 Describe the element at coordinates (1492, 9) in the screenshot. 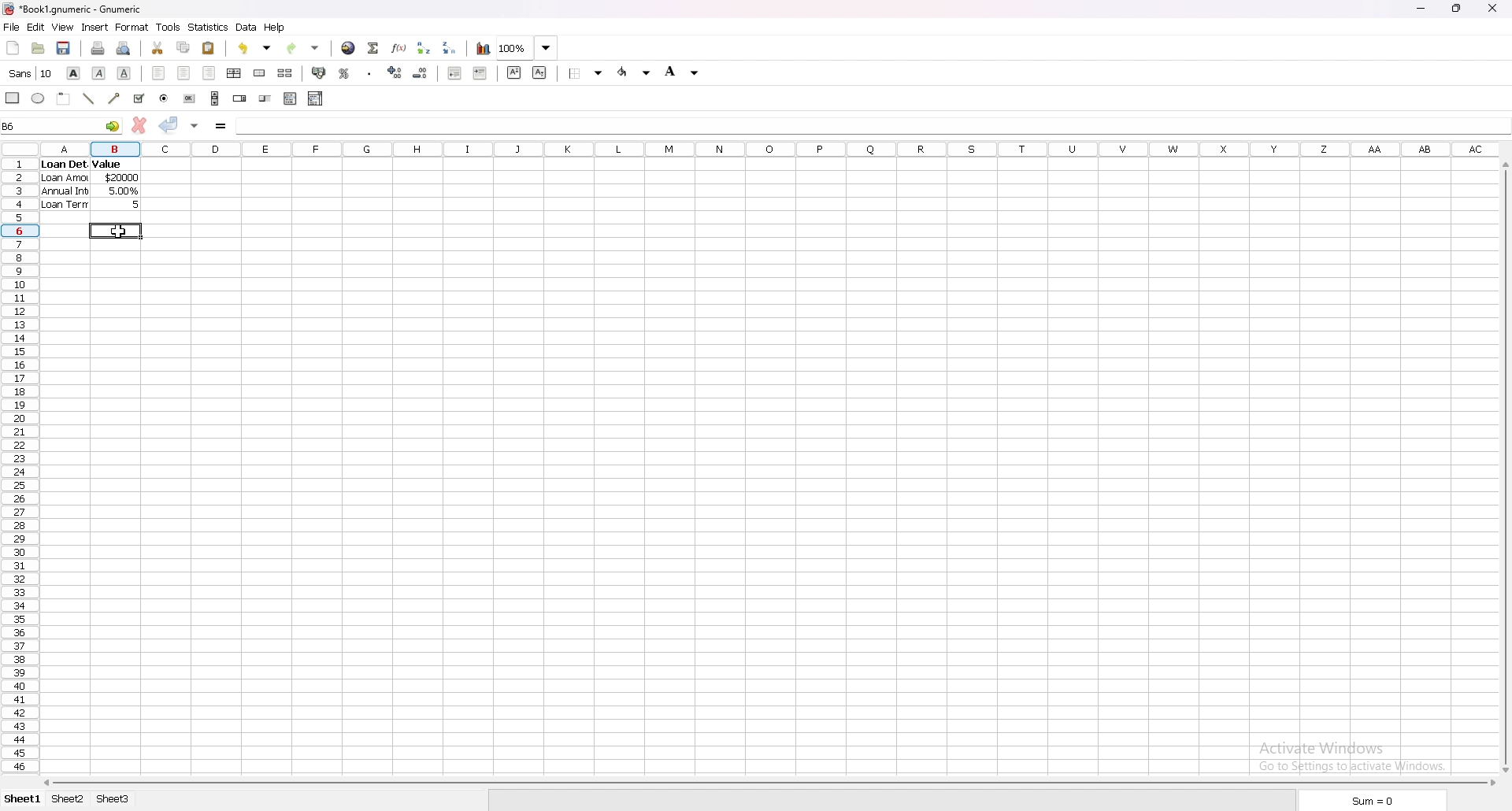

I see `close` at that location.